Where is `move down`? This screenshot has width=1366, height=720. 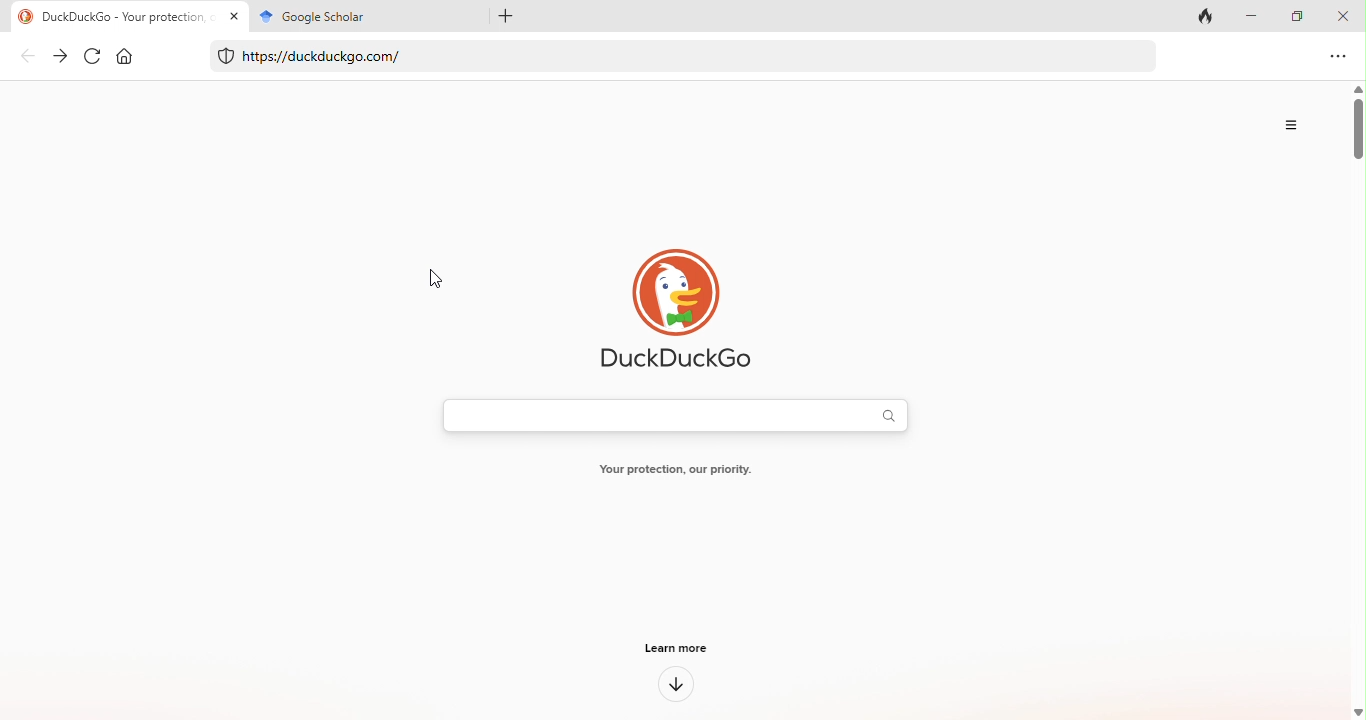
move down is located at coordinates (1357, 710).